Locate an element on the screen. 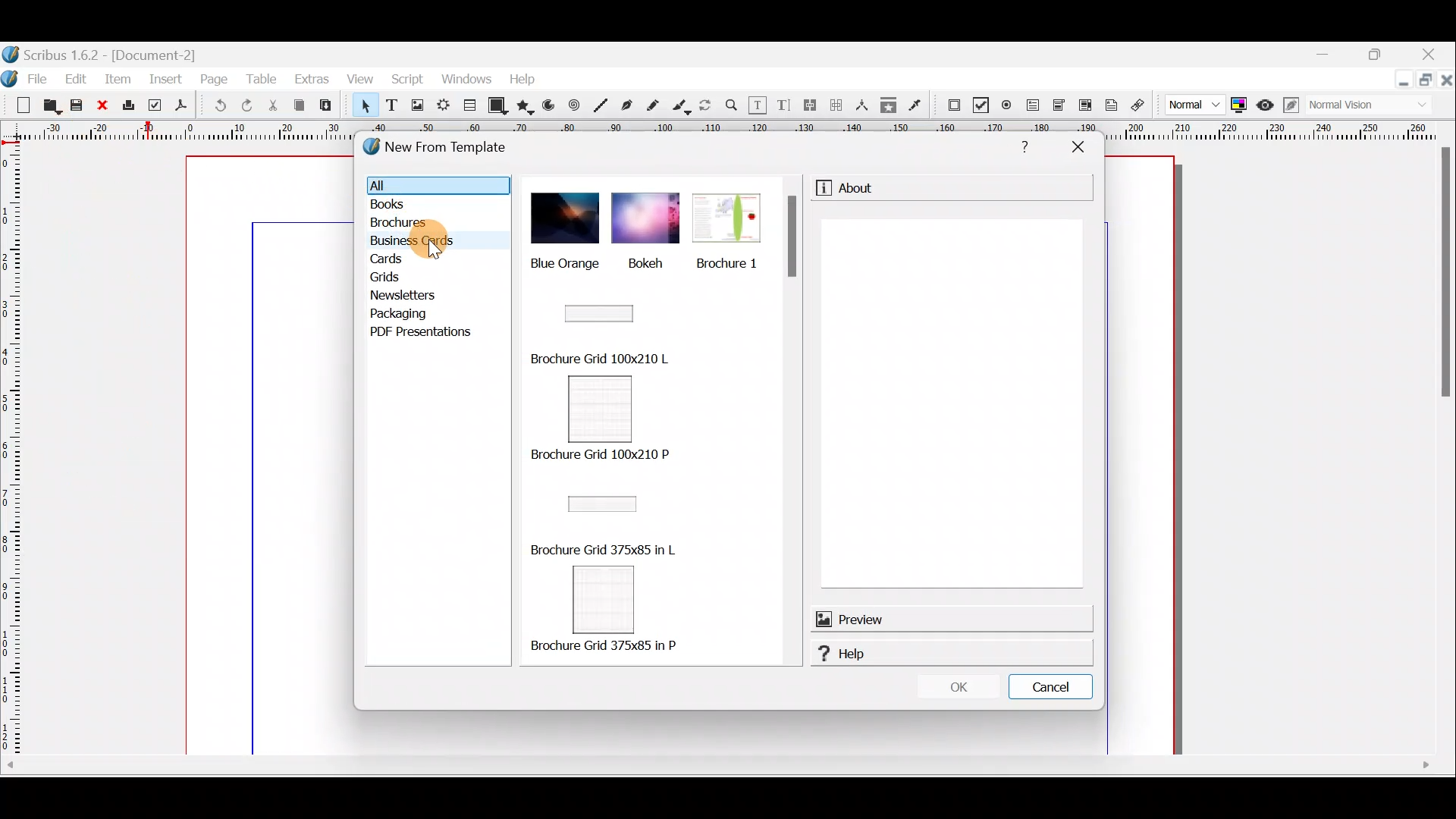 This screenshot has height=819, width=1456. Brochure grid image is located at coordinates (598, 312).